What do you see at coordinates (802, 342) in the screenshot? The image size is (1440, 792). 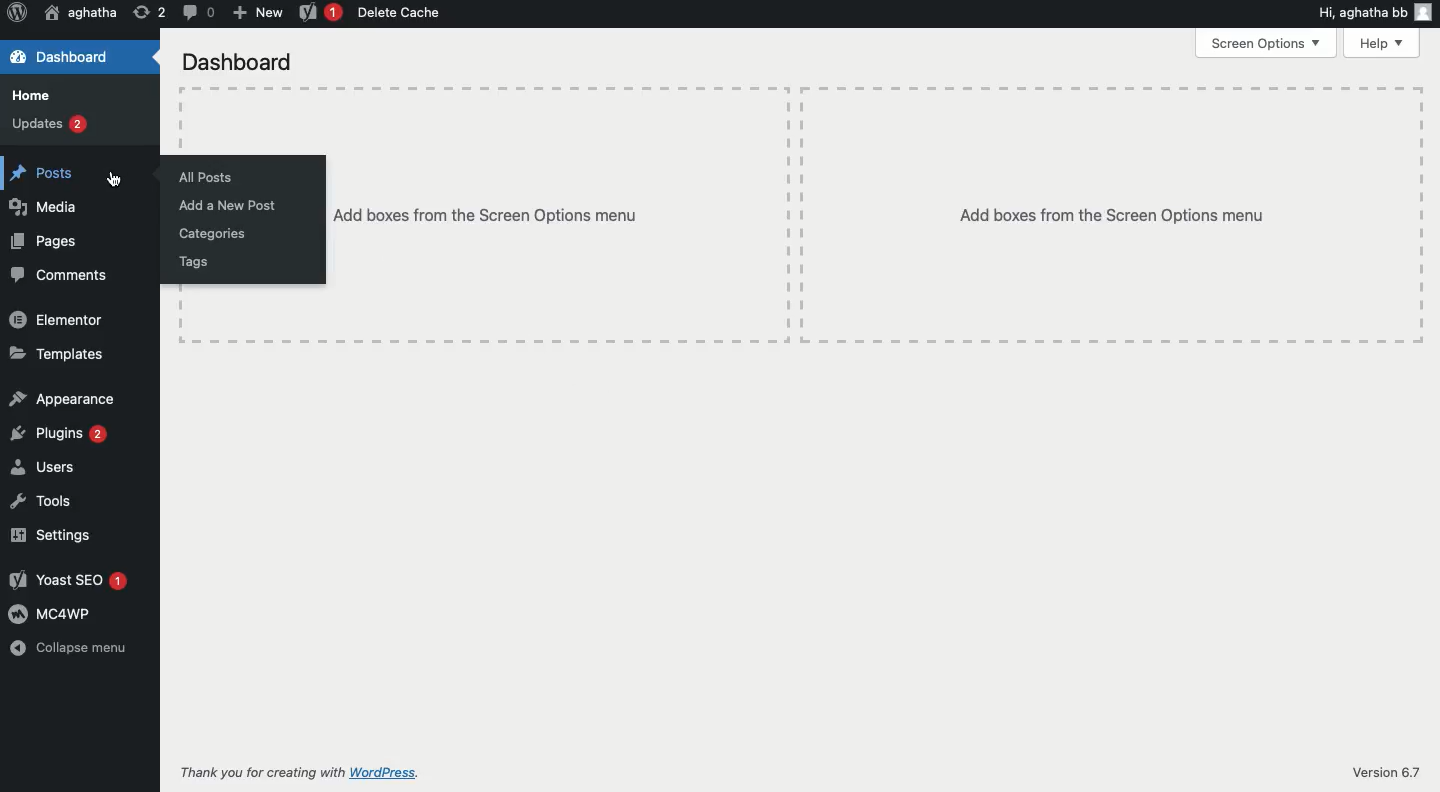 I see `Table line` at bounding box center [802, 342].